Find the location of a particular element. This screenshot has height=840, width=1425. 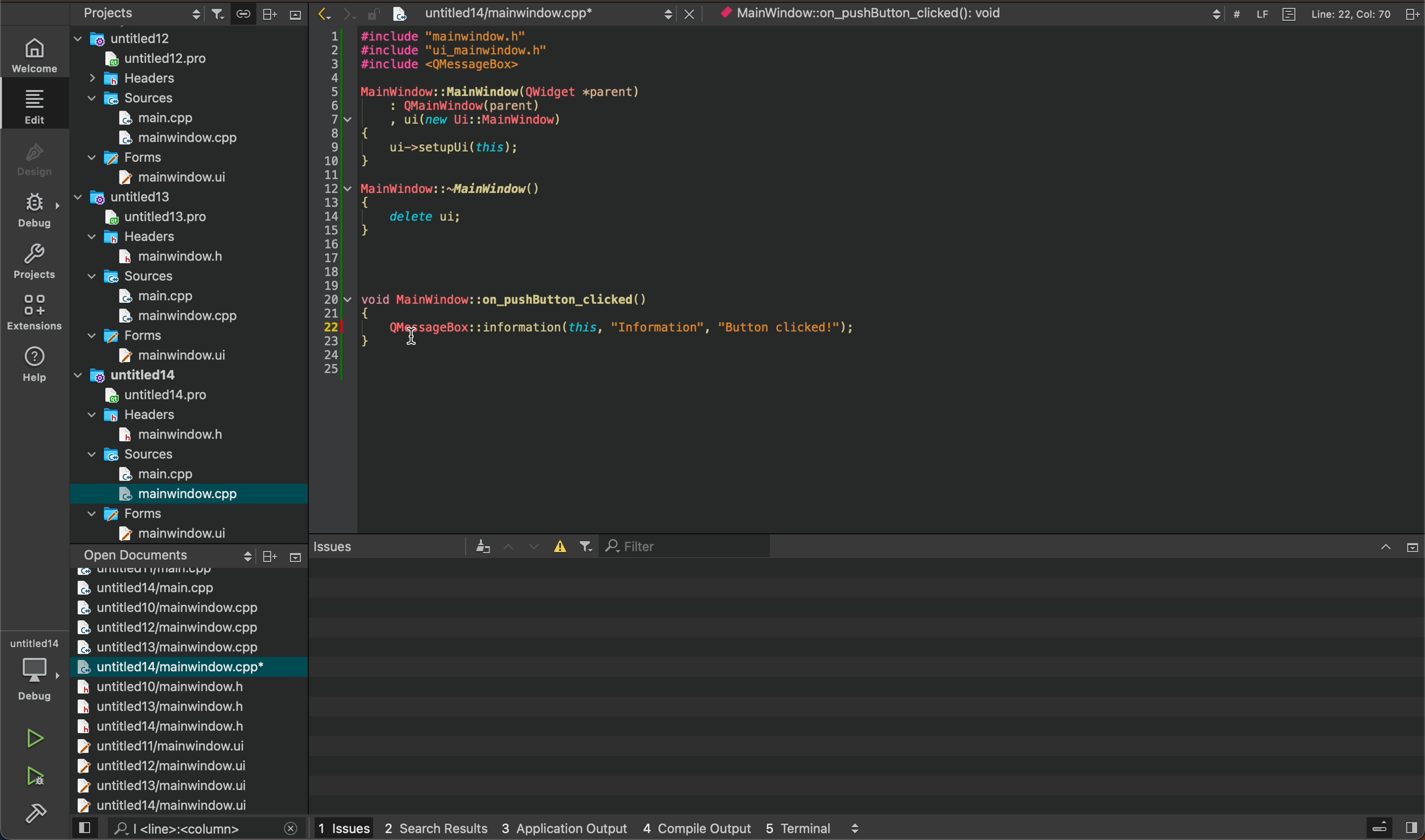

object is located at coordinates (879, 13).